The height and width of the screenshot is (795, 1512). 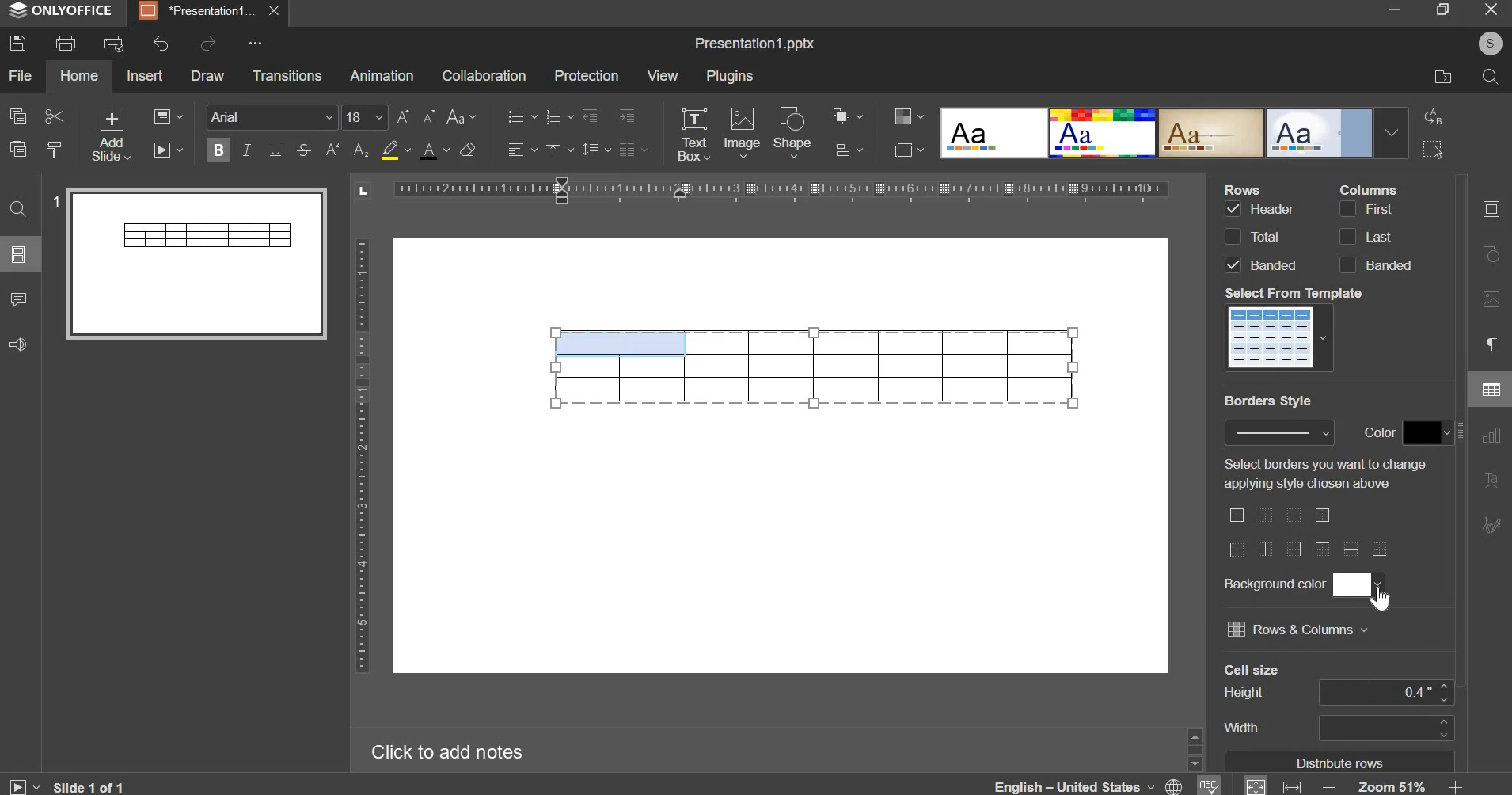 I want to click on home, so click(x=78, y=75).